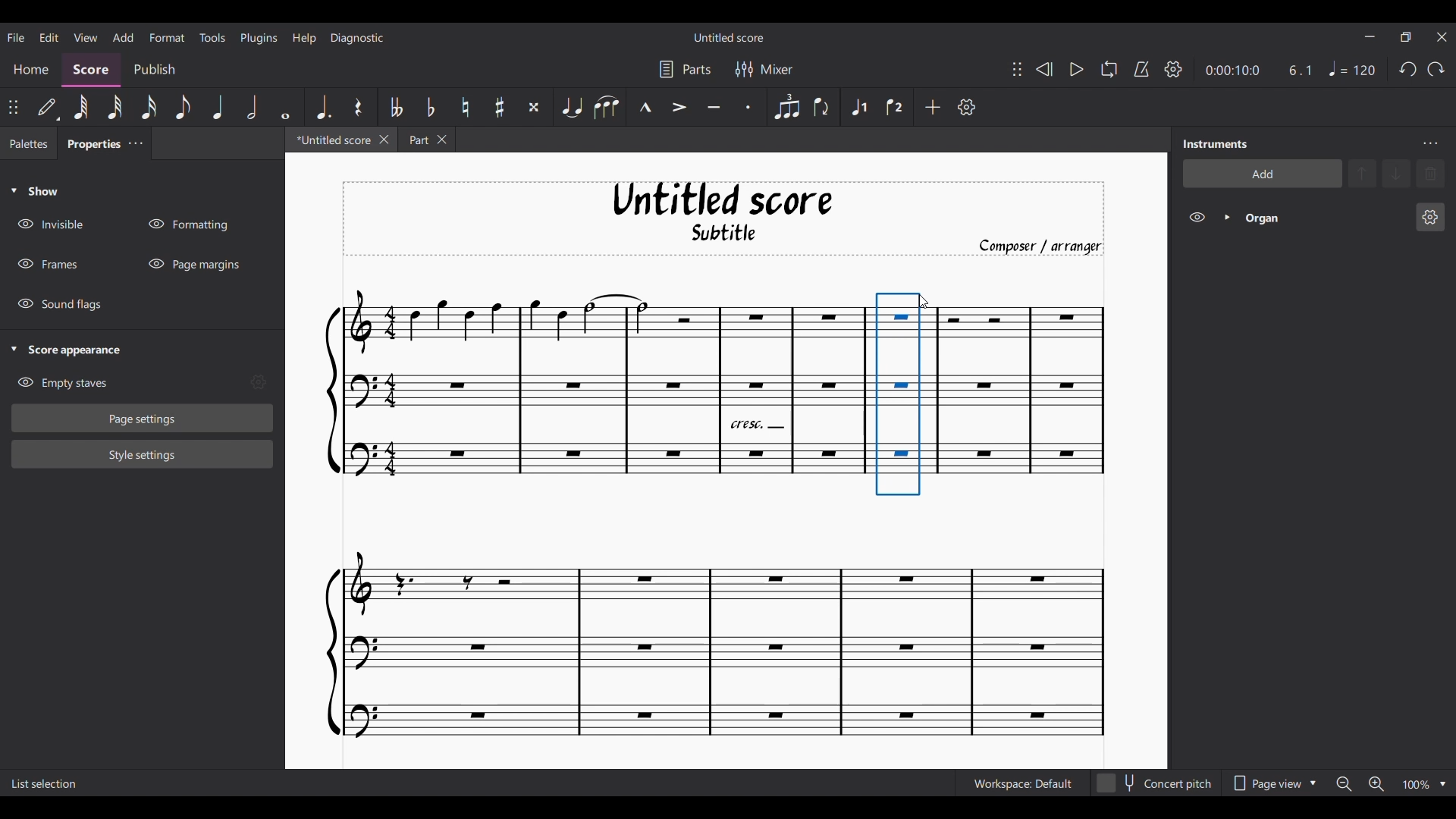 The image size is (1456, 819). I want to click on Half note, so click(252, 107).